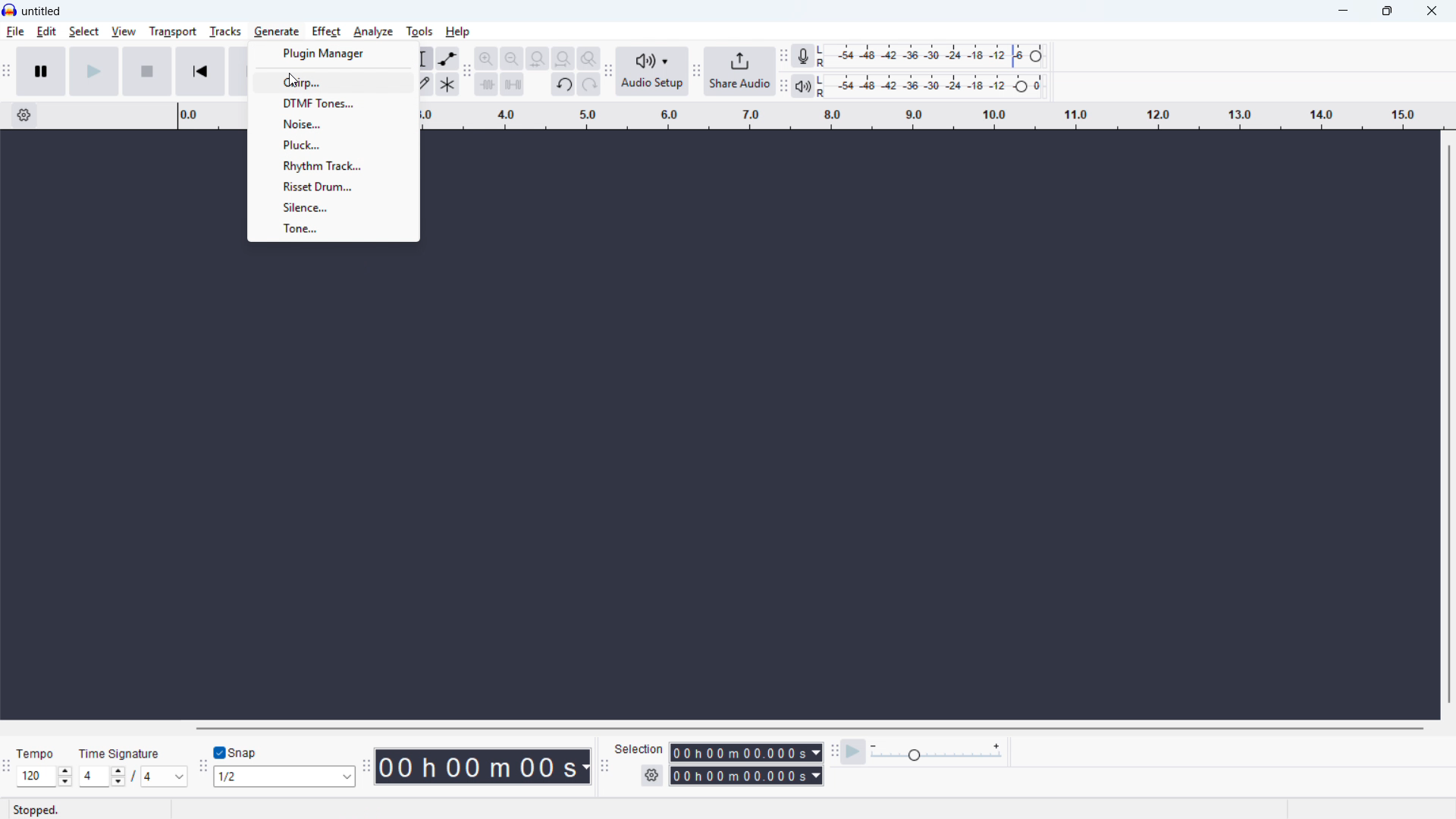  Describe the element at coordinates (335, 53) in the screenshot. I see `Plugin manager ` at that location.